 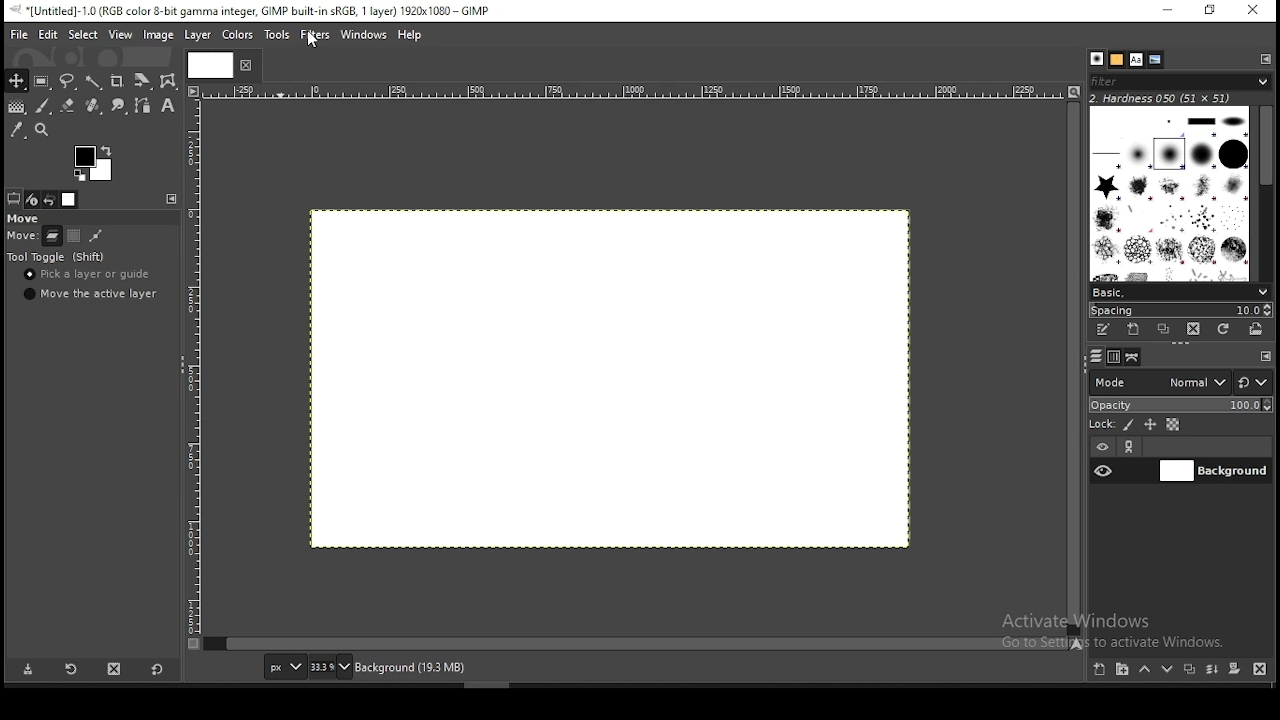 I want to click on move layer on step up, so click(x=1148, y=670).